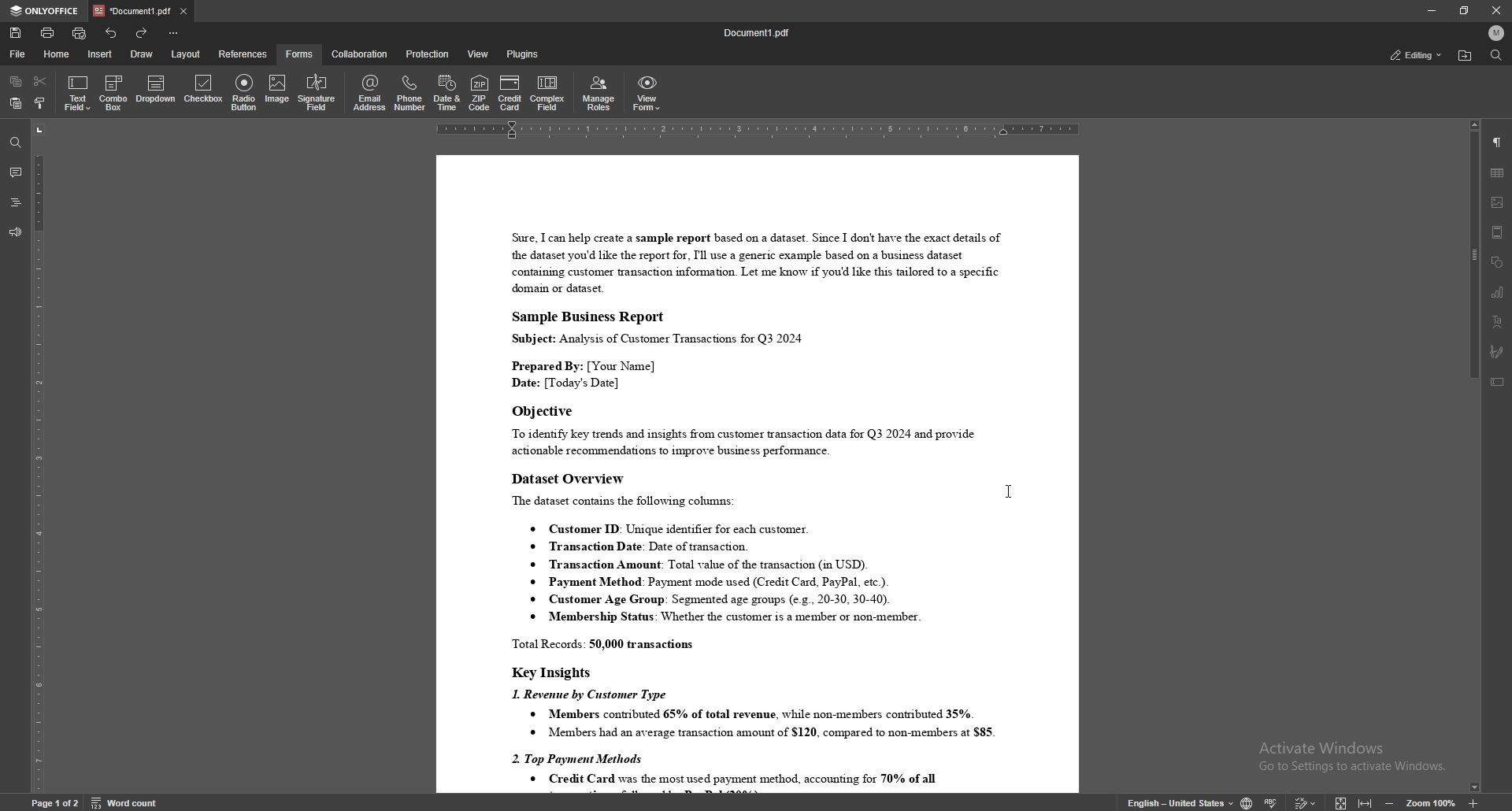 This screenshot has height=811, width=1512. Describe the element at coordinates (447, 93) in the screenshot. I see `date and time` at that location.